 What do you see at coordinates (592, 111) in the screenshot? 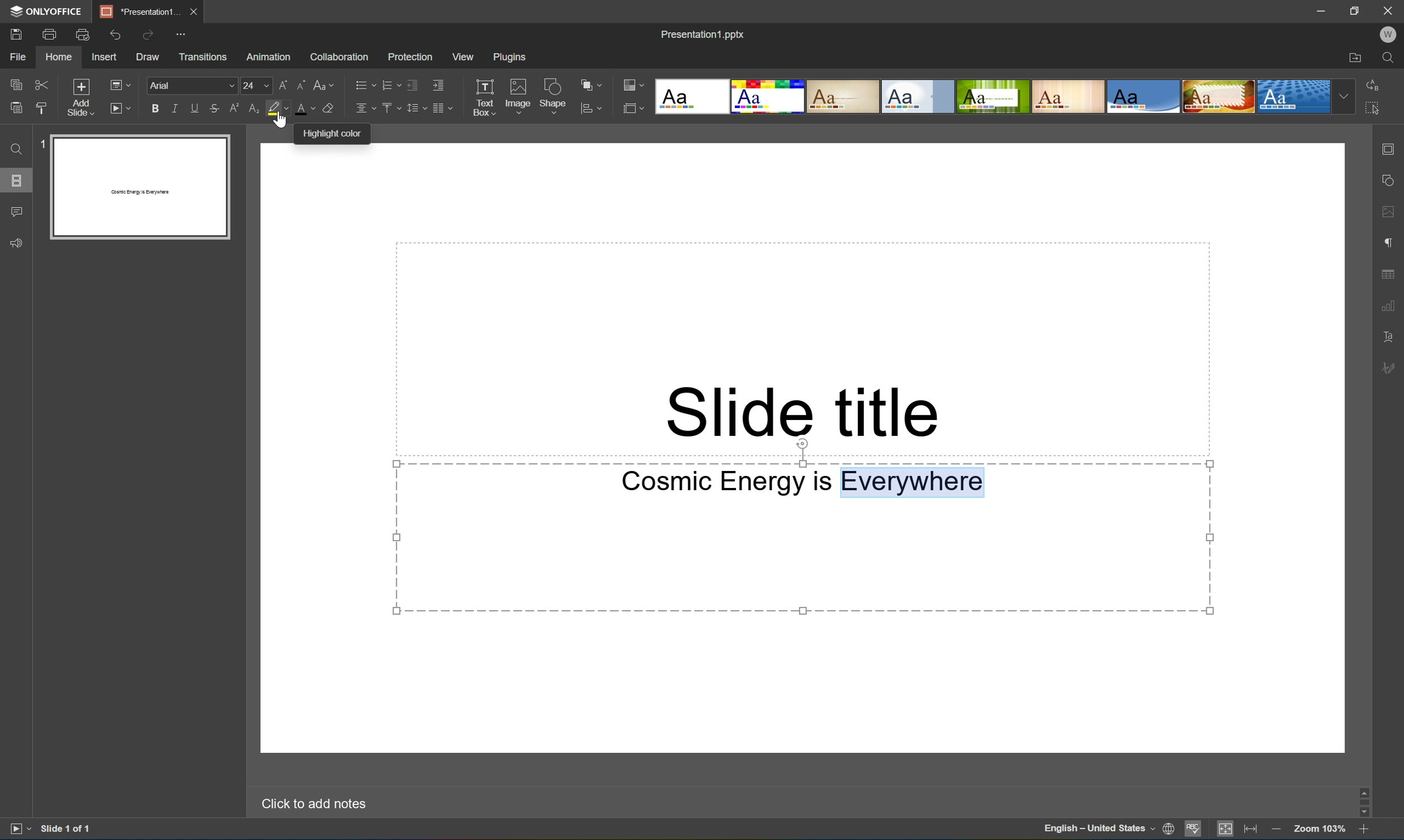
I see `Align shape` at bounding box center [592, 111].